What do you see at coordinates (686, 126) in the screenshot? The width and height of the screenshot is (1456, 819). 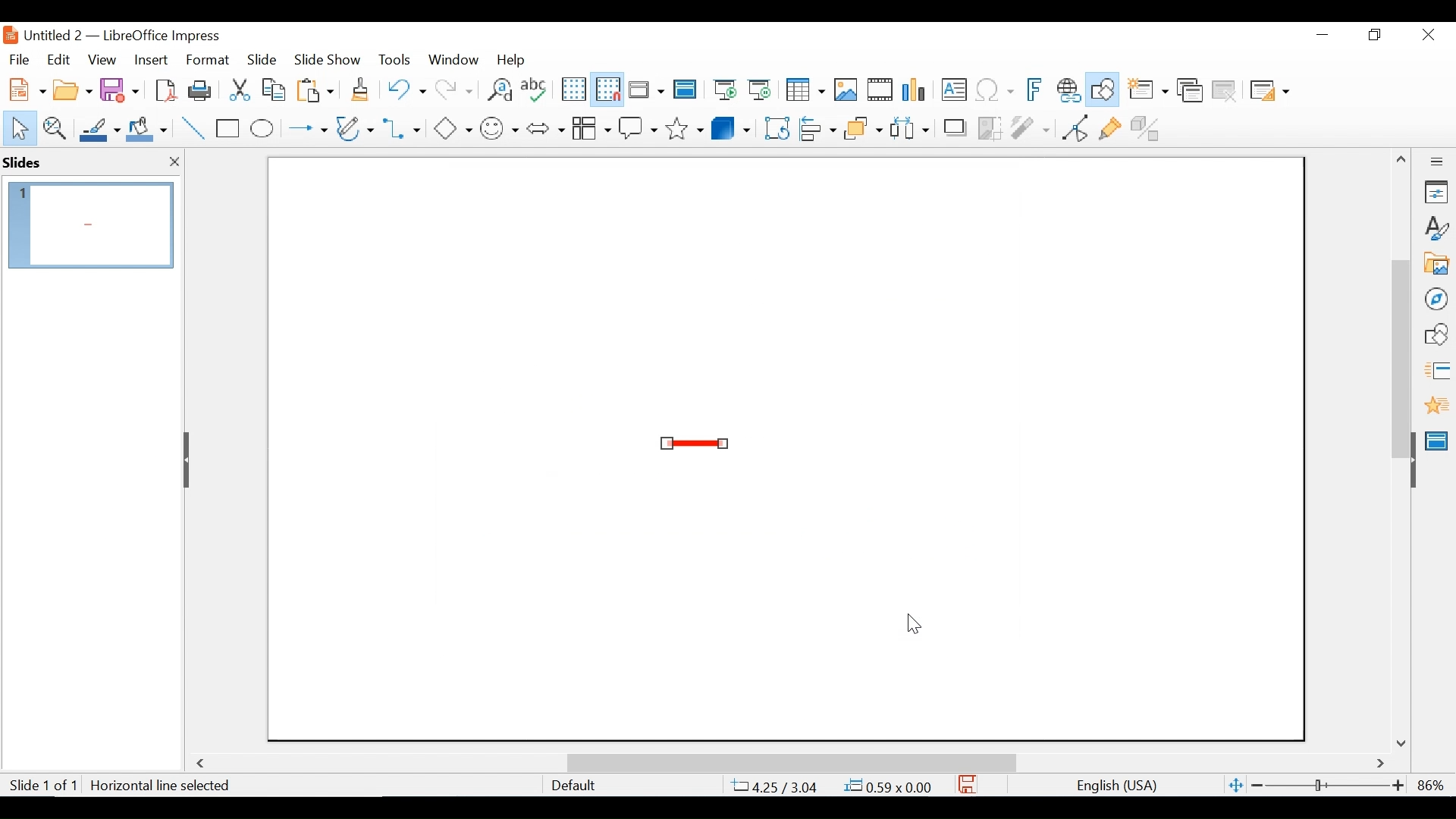 I see `Stars and Banners` at bounding box center [686, 126].